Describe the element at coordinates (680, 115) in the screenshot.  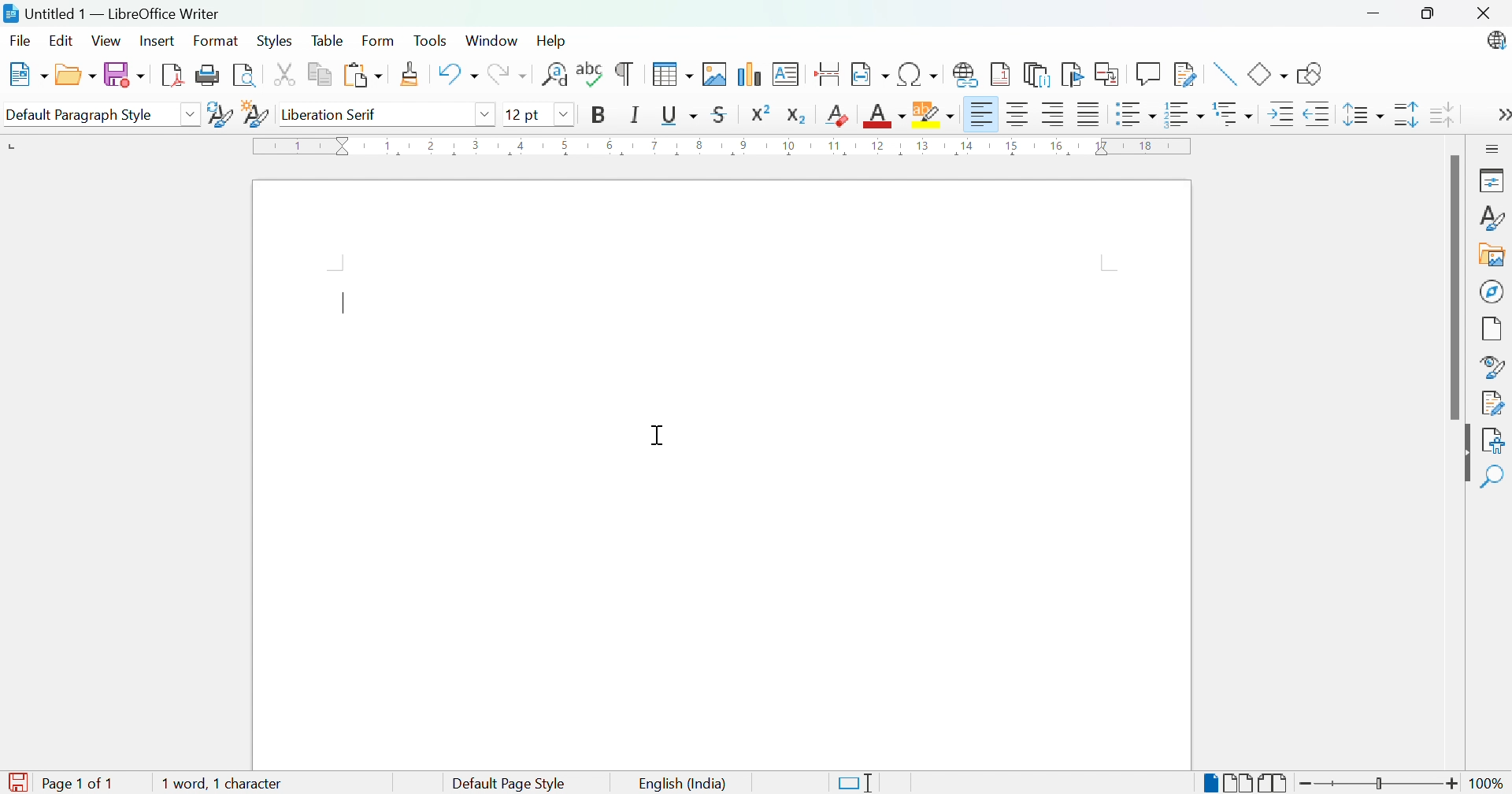
I see `Underline` at that location.